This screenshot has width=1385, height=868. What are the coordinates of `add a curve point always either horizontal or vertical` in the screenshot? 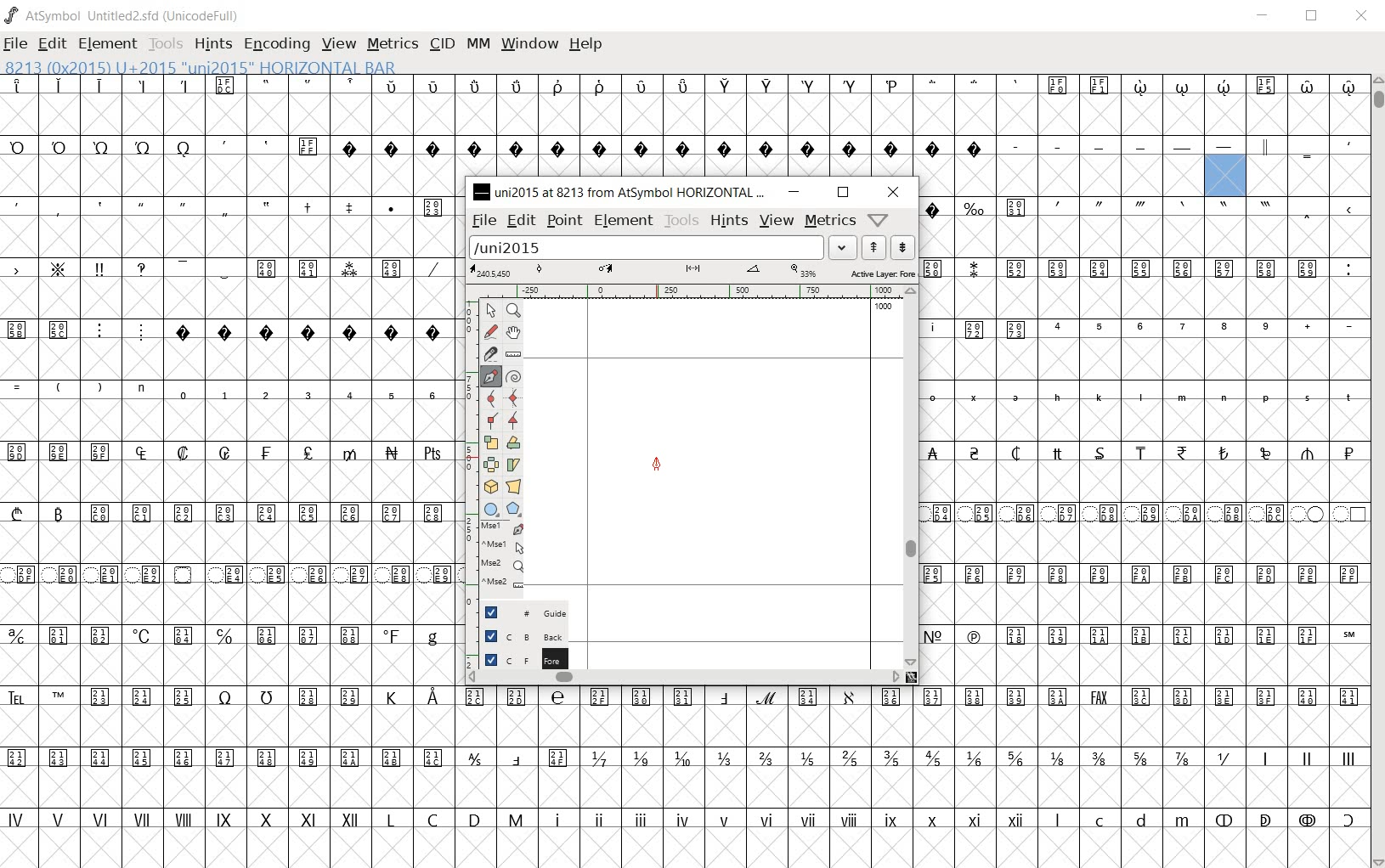 It's located at (512, 398).